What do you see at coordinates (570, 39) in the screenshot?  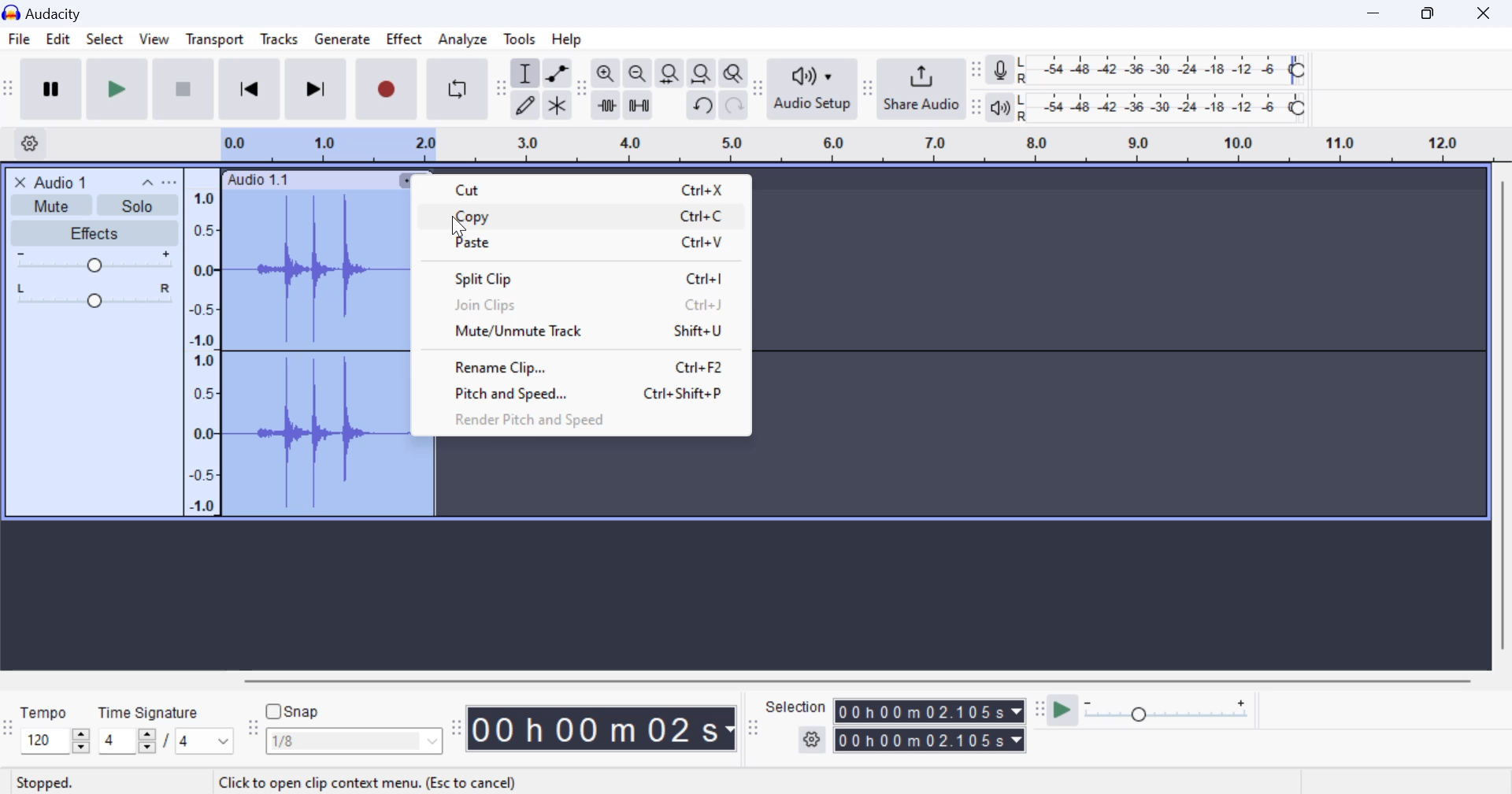 I see `Help` at bounding box center [570, 39].